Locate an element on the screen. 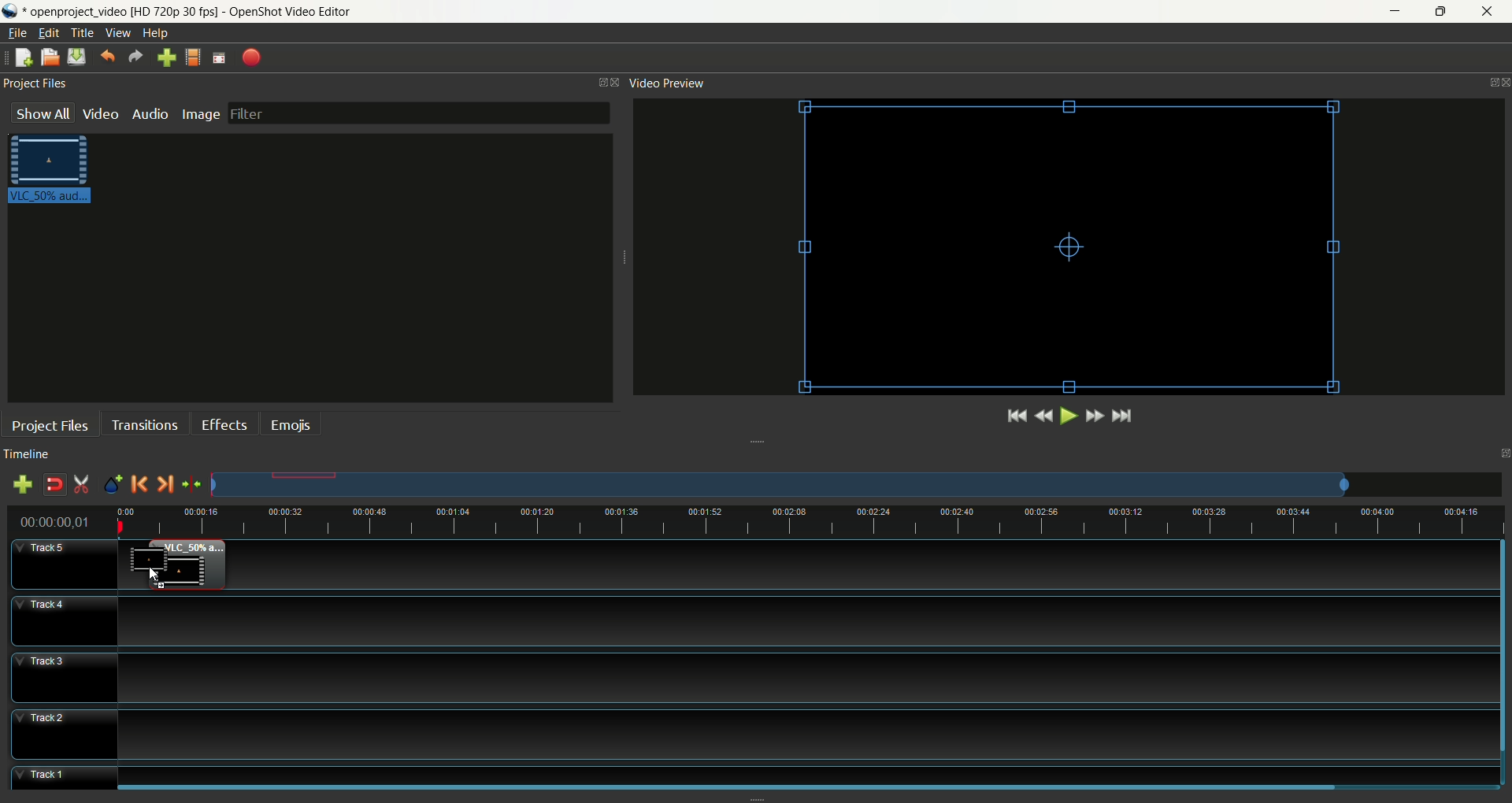  enable razor is located at coordinates (80, 484).